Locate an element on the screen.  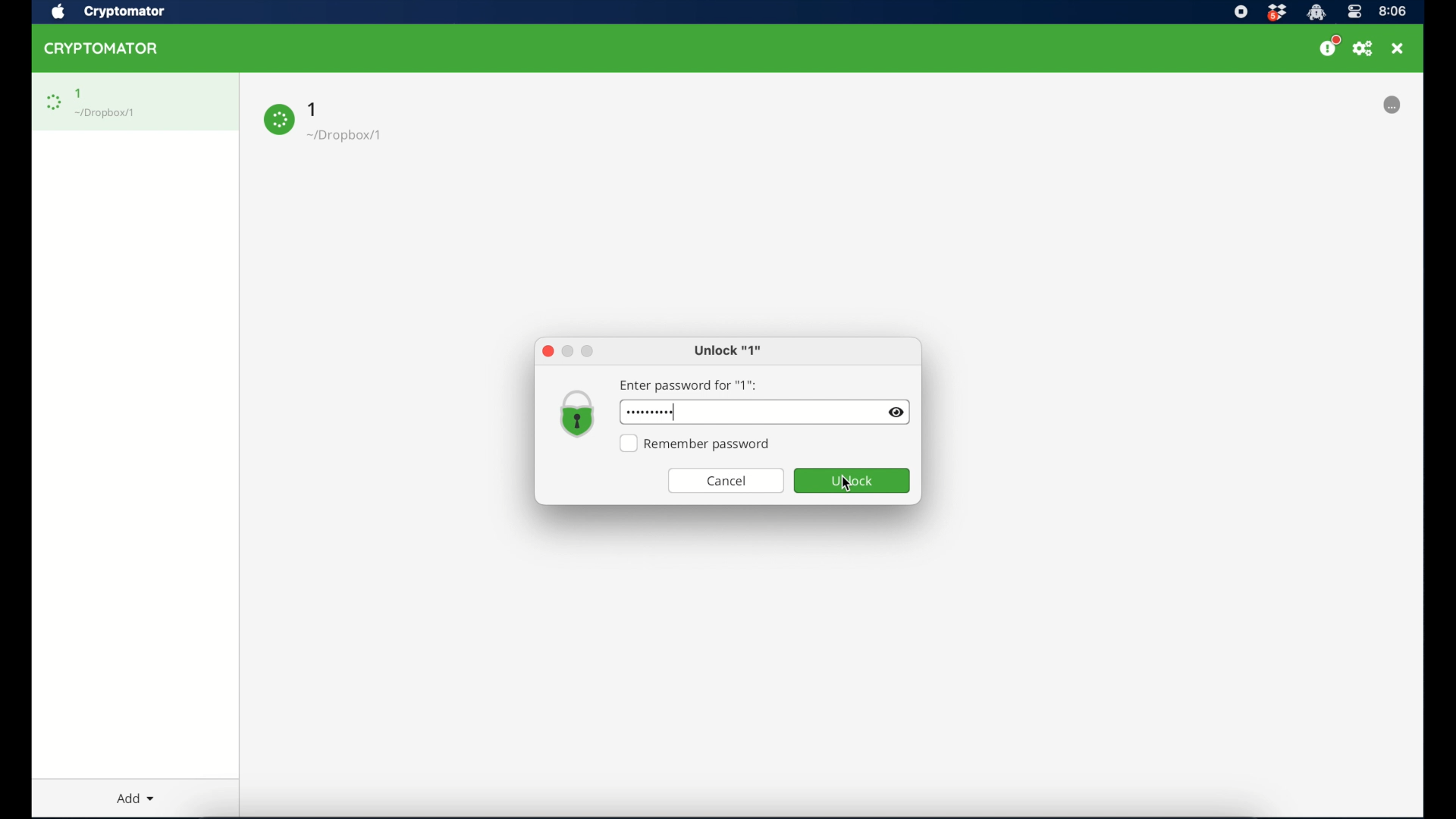
options is located at coordinates (1392, 105).